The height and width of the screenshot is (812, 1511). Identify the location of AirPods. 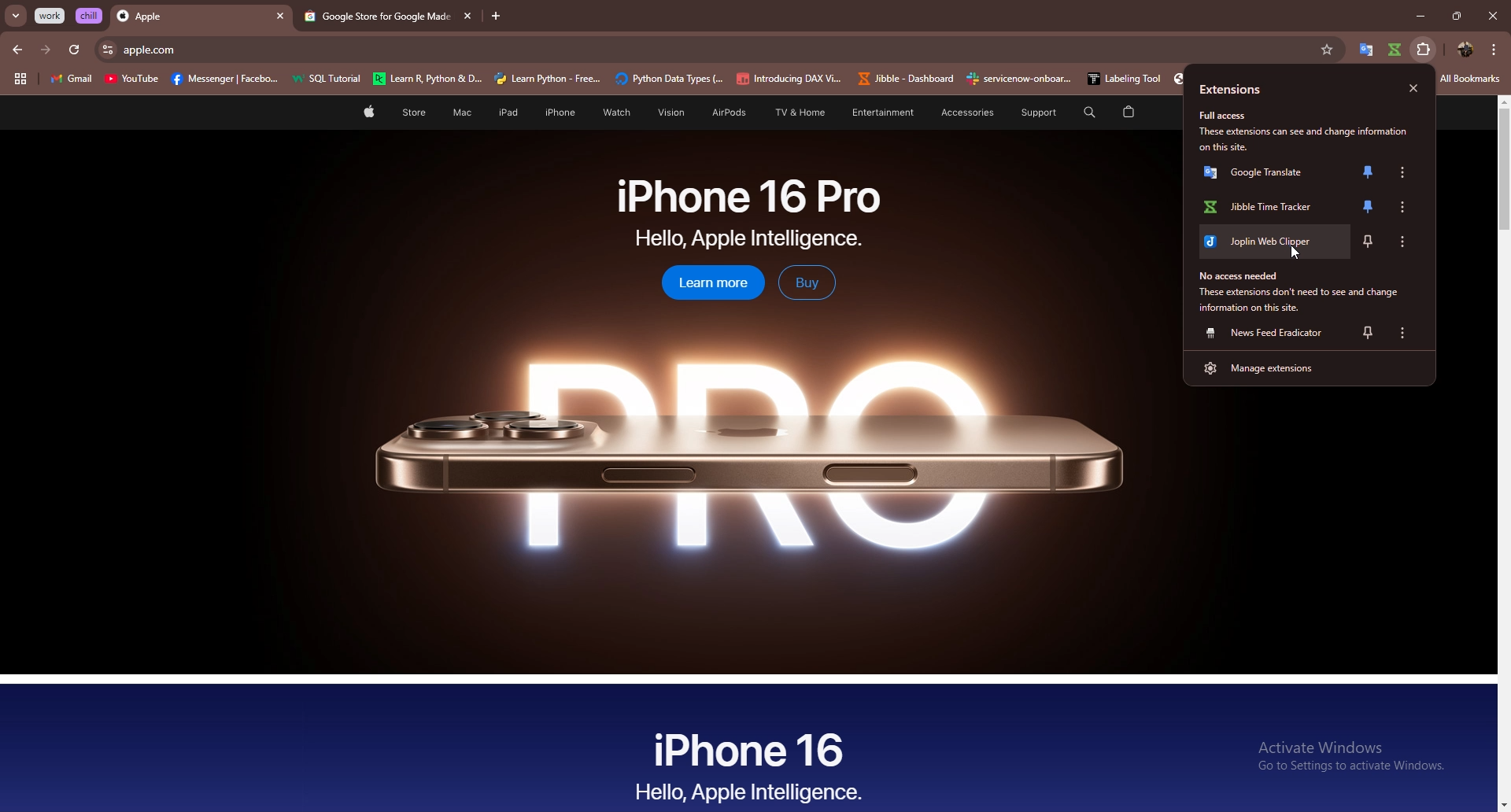
(723, 114).